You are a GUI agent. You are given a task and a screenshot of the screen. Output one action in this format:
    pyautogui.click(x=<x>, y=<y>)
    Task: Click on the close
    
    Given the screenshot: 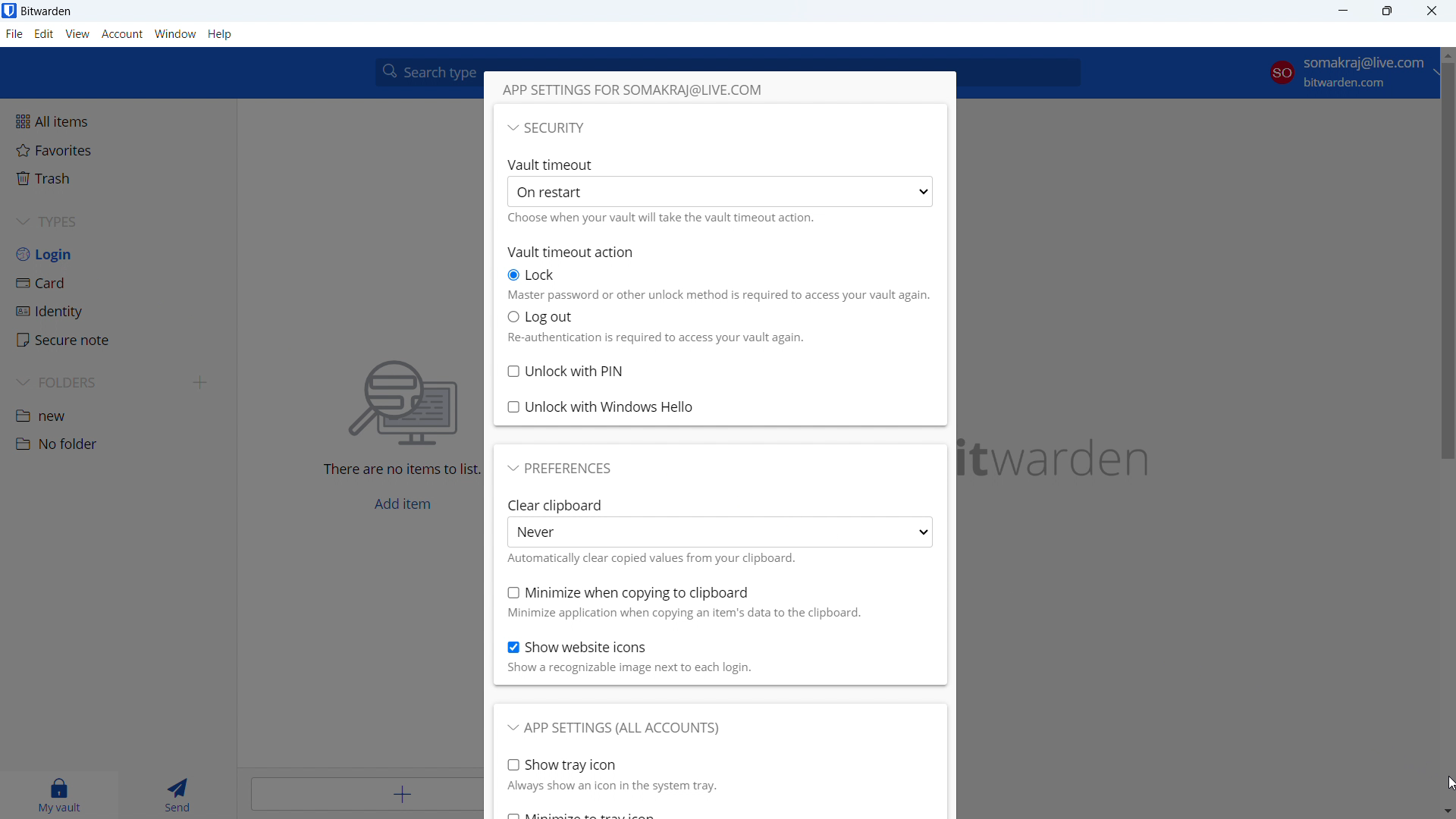 What is the action you would take?
    pyautogui.click(x=1432, y=11)
    